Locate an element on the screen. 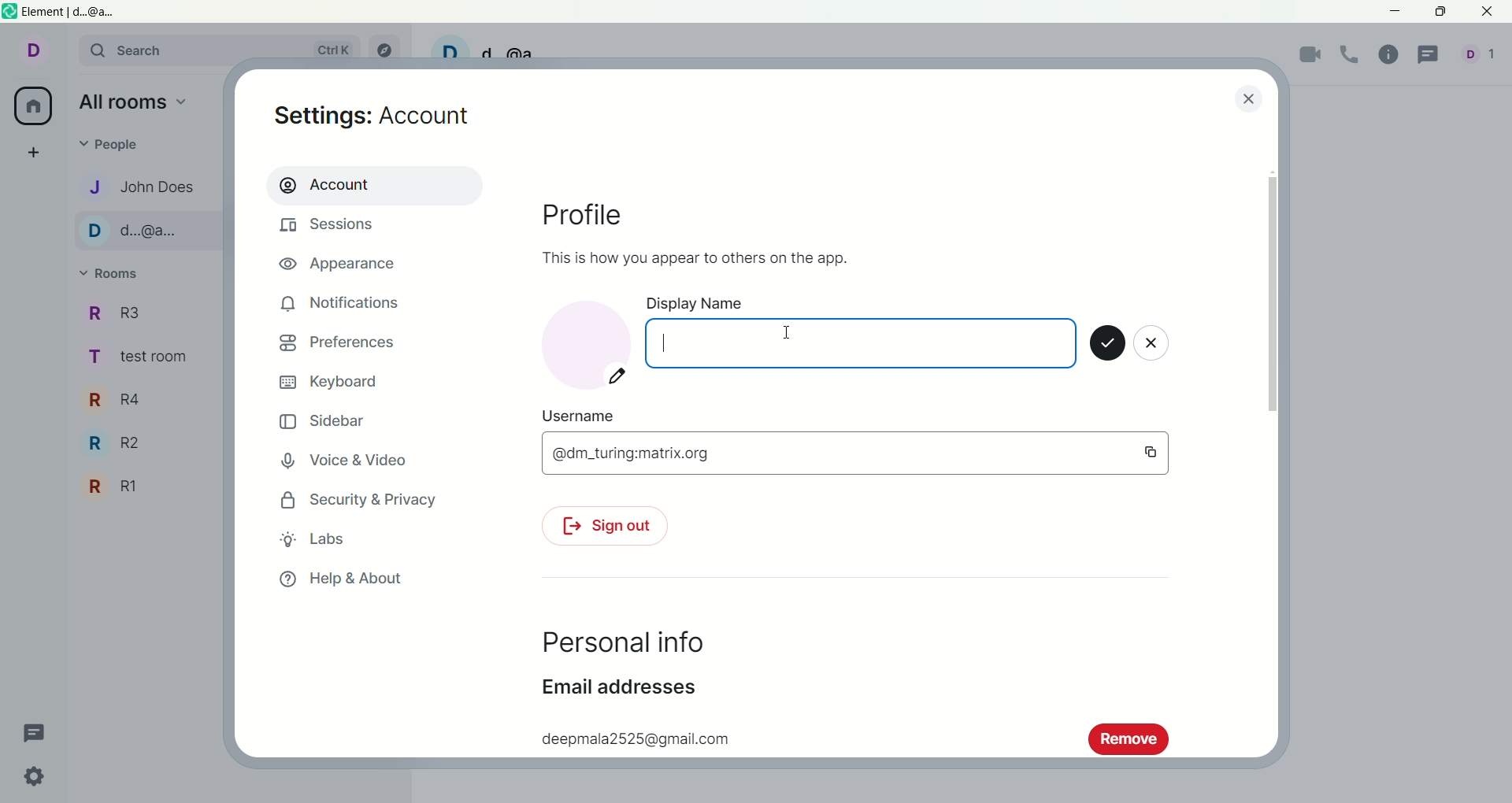 The image size is (1512, 803). maximize is located at coordinates (1440, 12).